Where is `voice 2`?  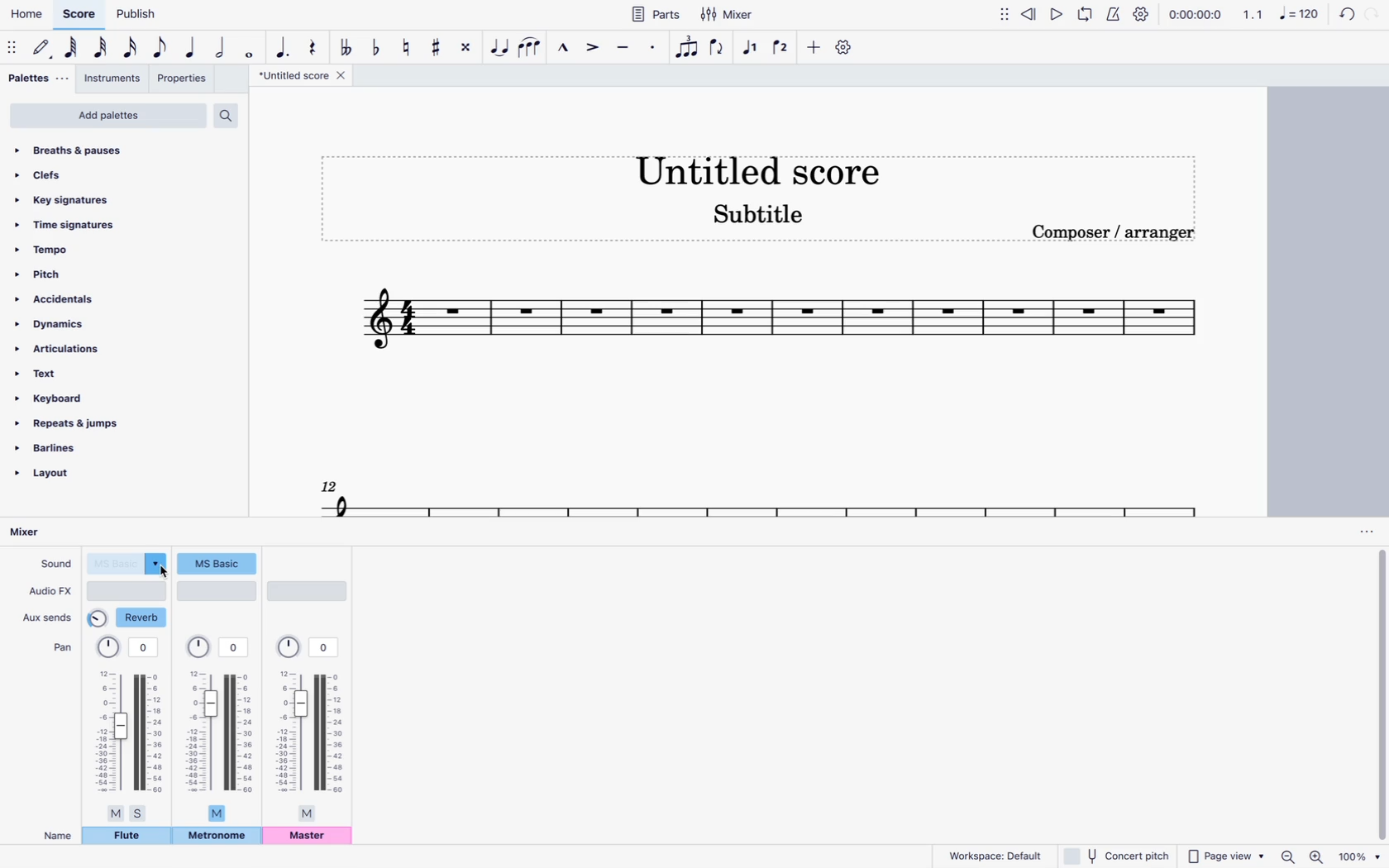
voice 2 is located at coordinates (782, 46).